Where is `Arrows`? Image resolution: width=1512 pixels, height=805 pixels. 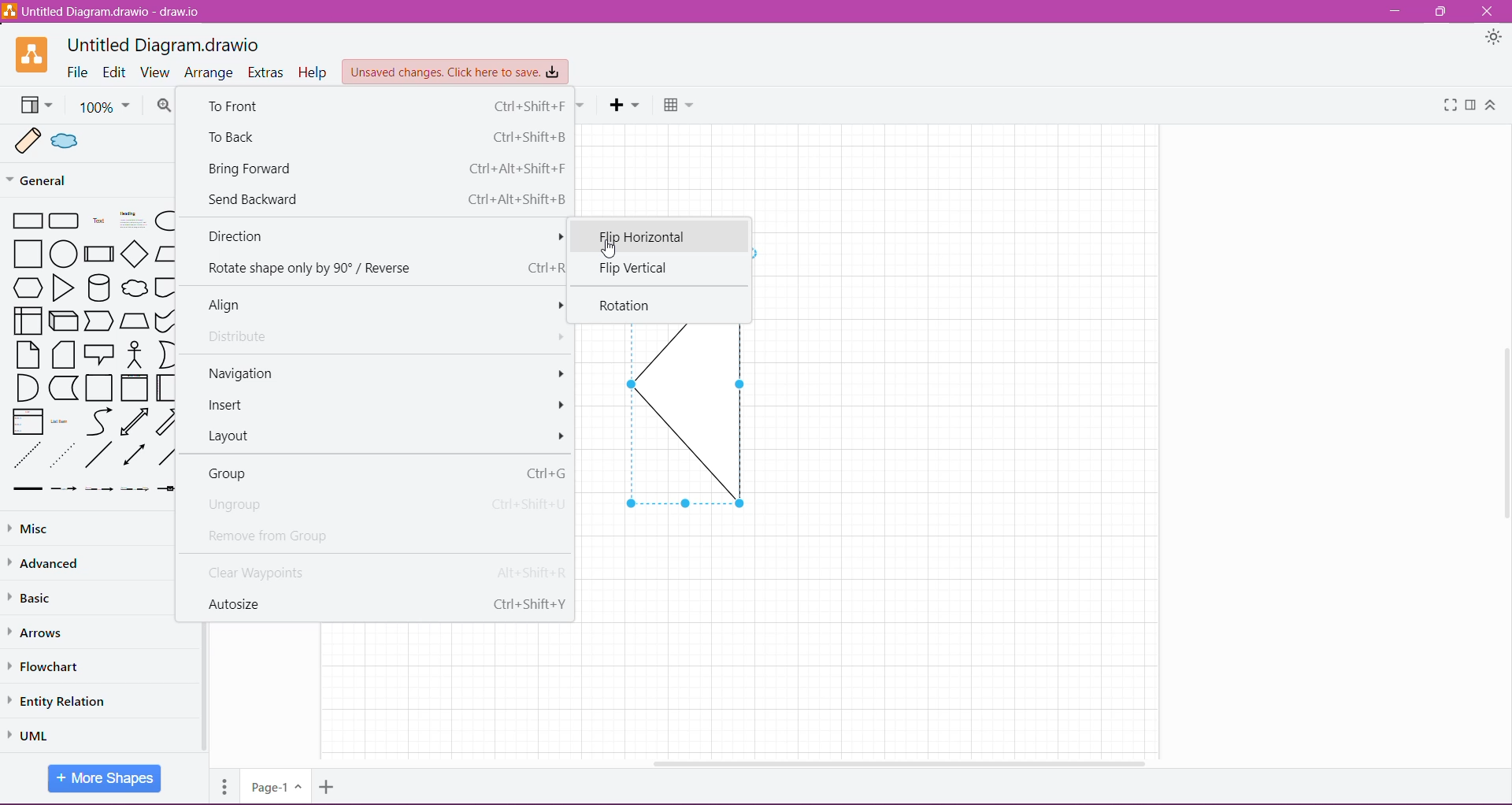
Arrows is located at coordinates (43, 633).